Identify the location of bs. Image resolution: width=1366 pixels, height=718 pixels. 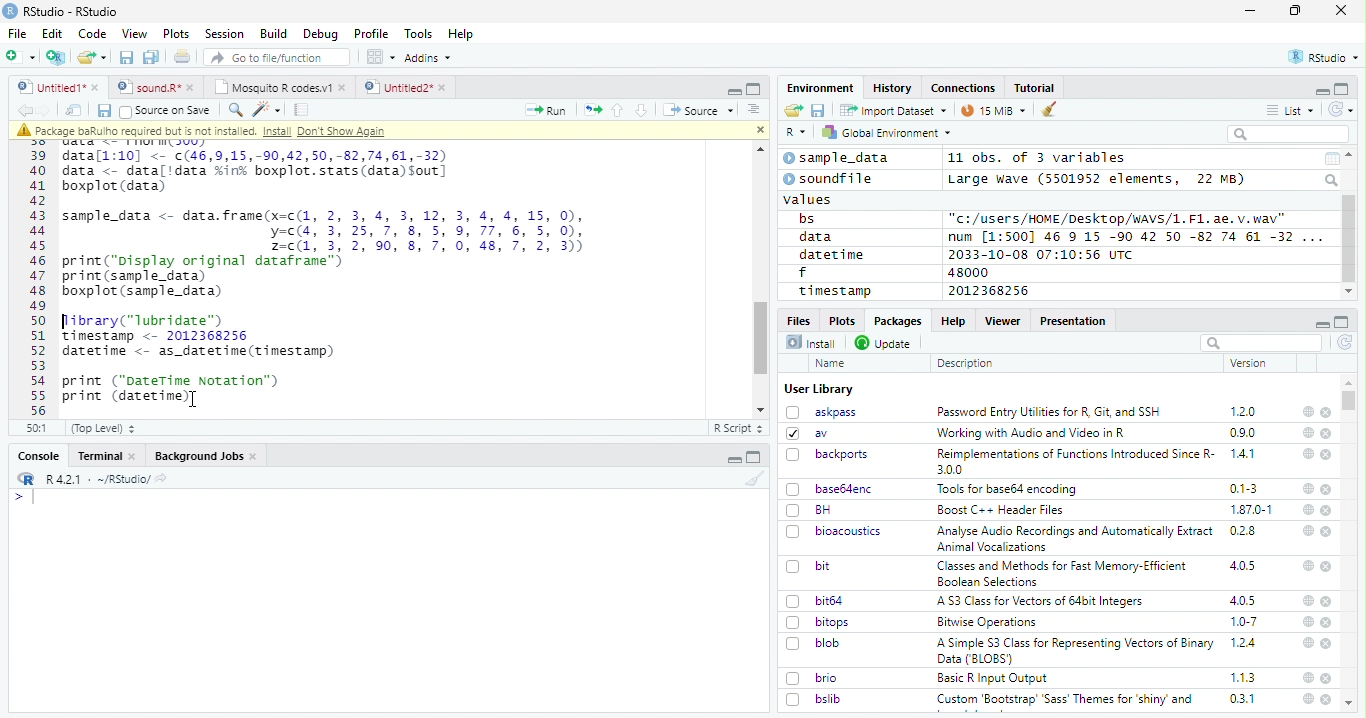
(807, 219).